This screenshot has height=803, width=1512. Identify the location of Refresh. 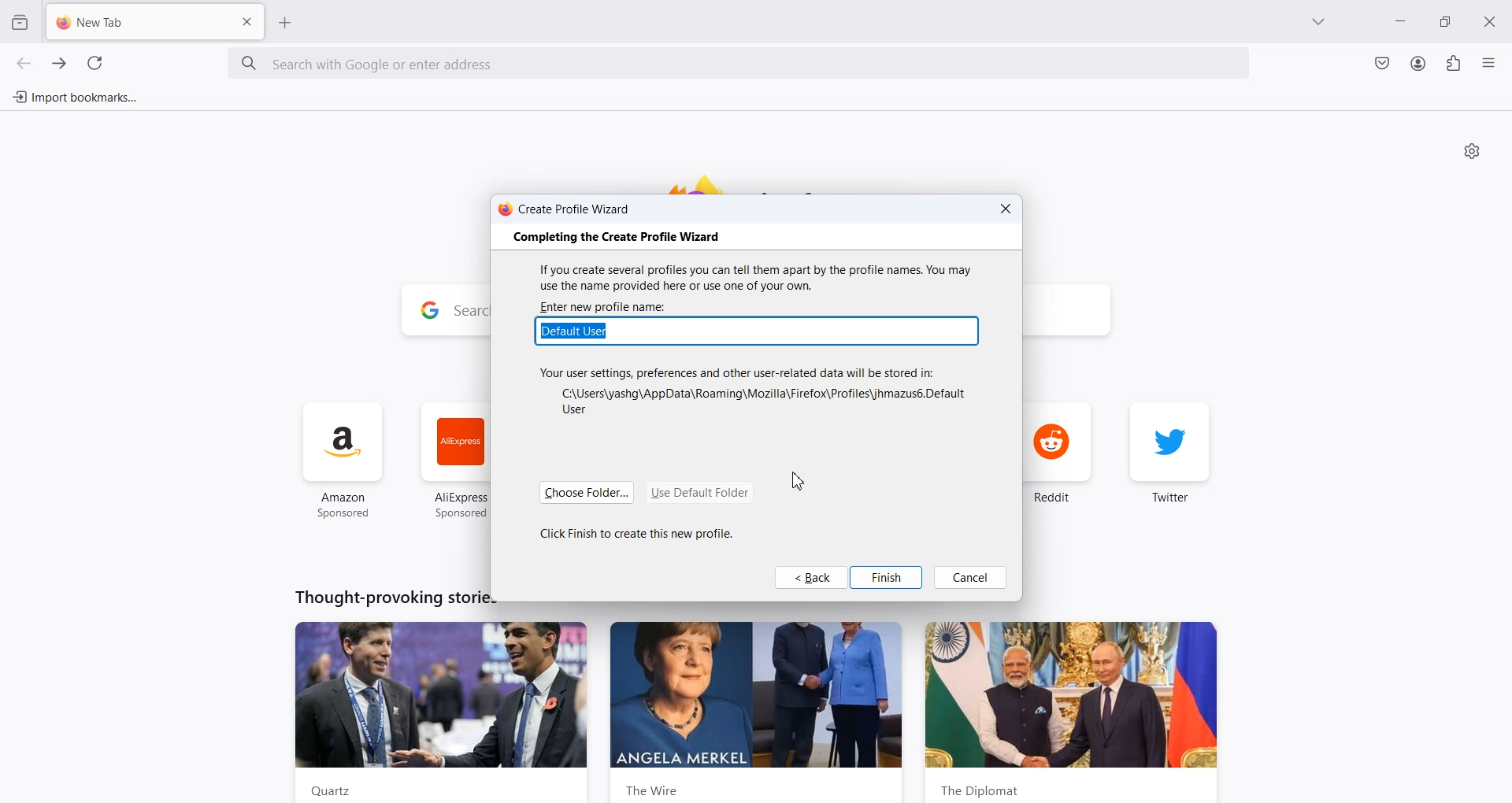
(94, 64).